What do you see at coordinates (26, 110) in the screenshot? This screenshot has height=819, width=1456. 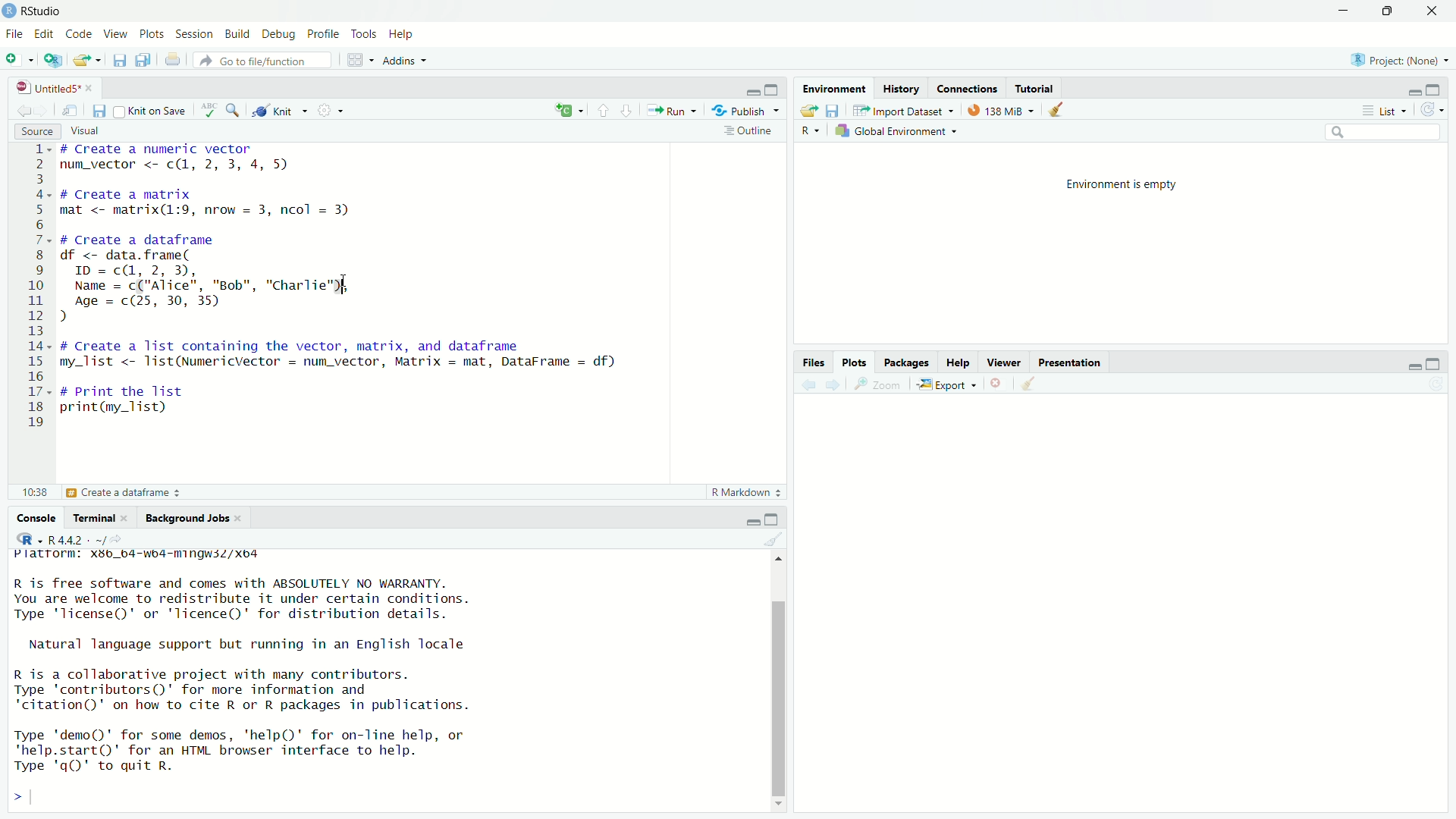 I see `back` at bounding box center [26, 110].